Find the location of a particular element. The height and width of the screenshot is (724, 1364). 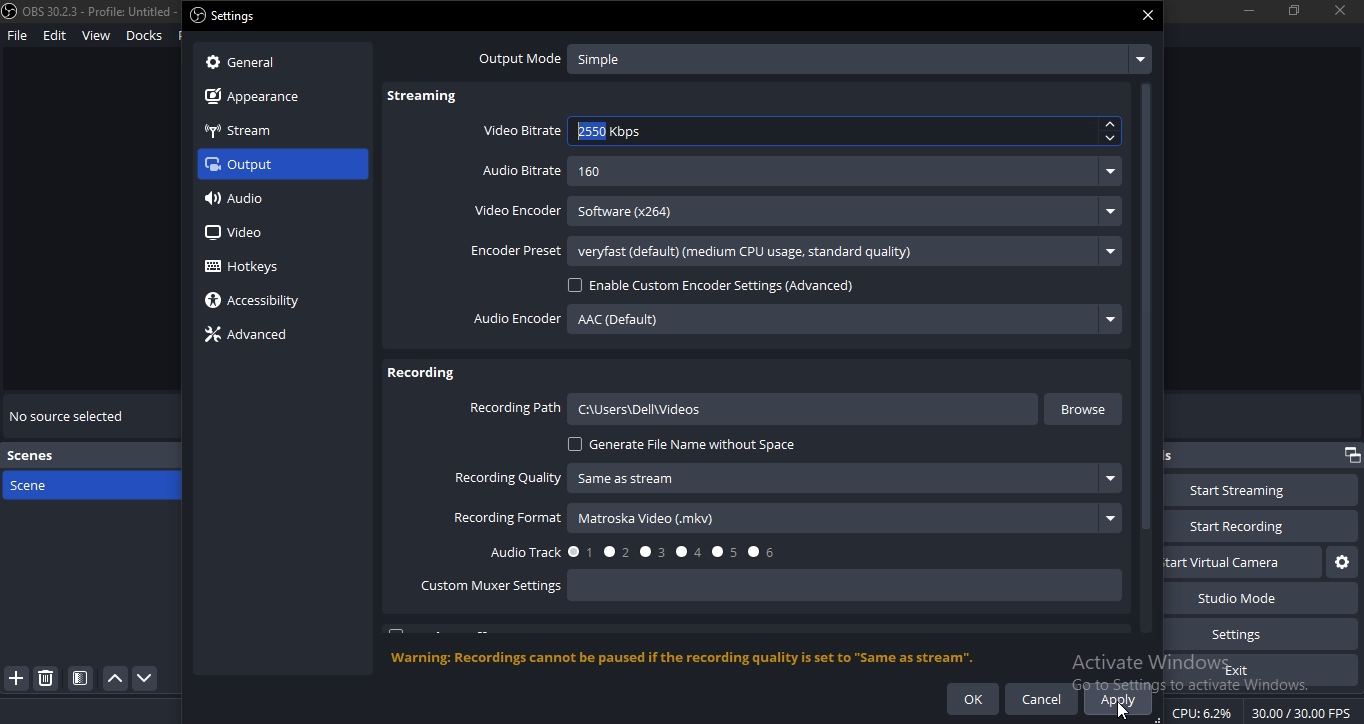

studio is located at coordinates (1251, 598).